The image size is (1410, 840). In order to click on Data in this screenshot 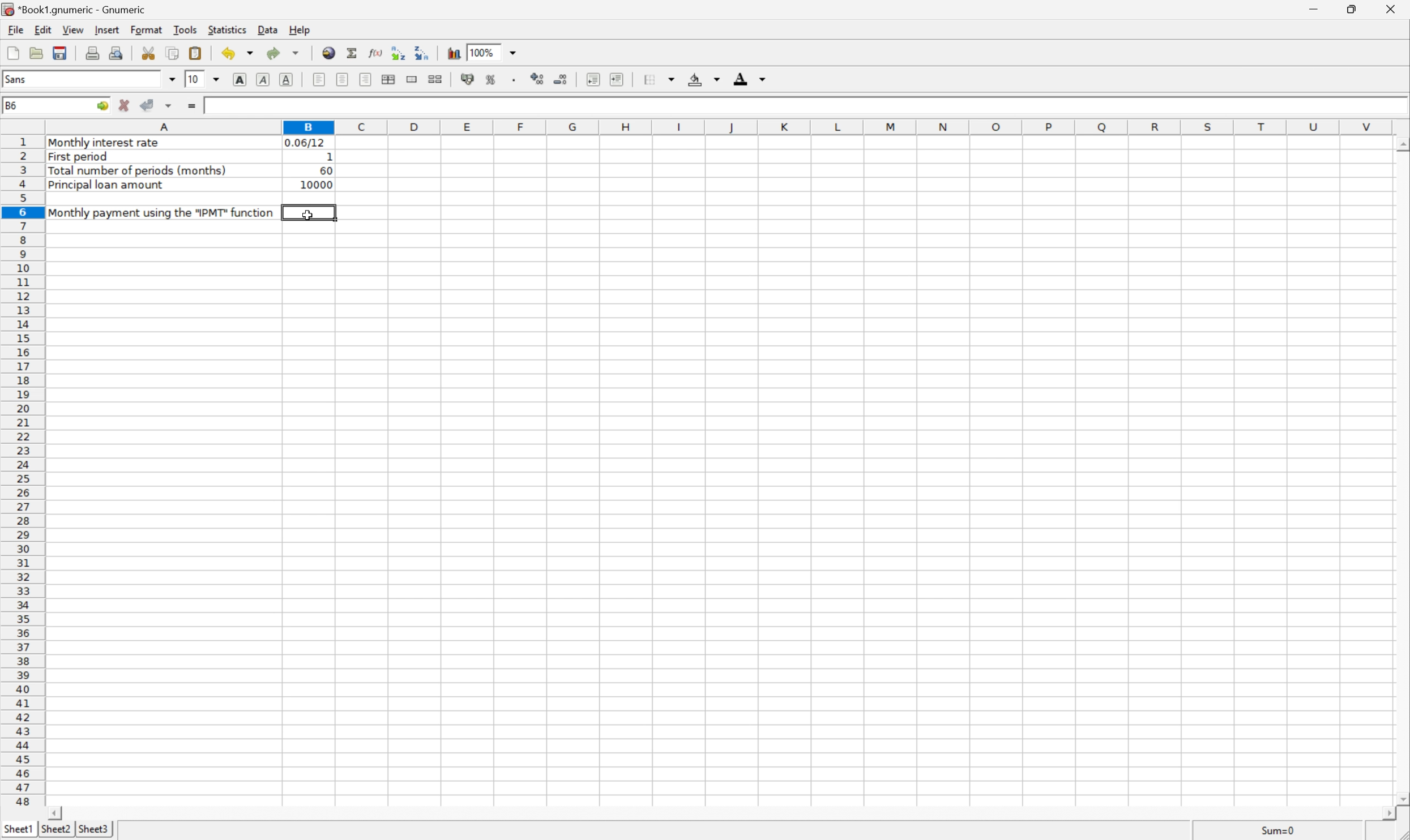, I will do `click(268, 31)`.